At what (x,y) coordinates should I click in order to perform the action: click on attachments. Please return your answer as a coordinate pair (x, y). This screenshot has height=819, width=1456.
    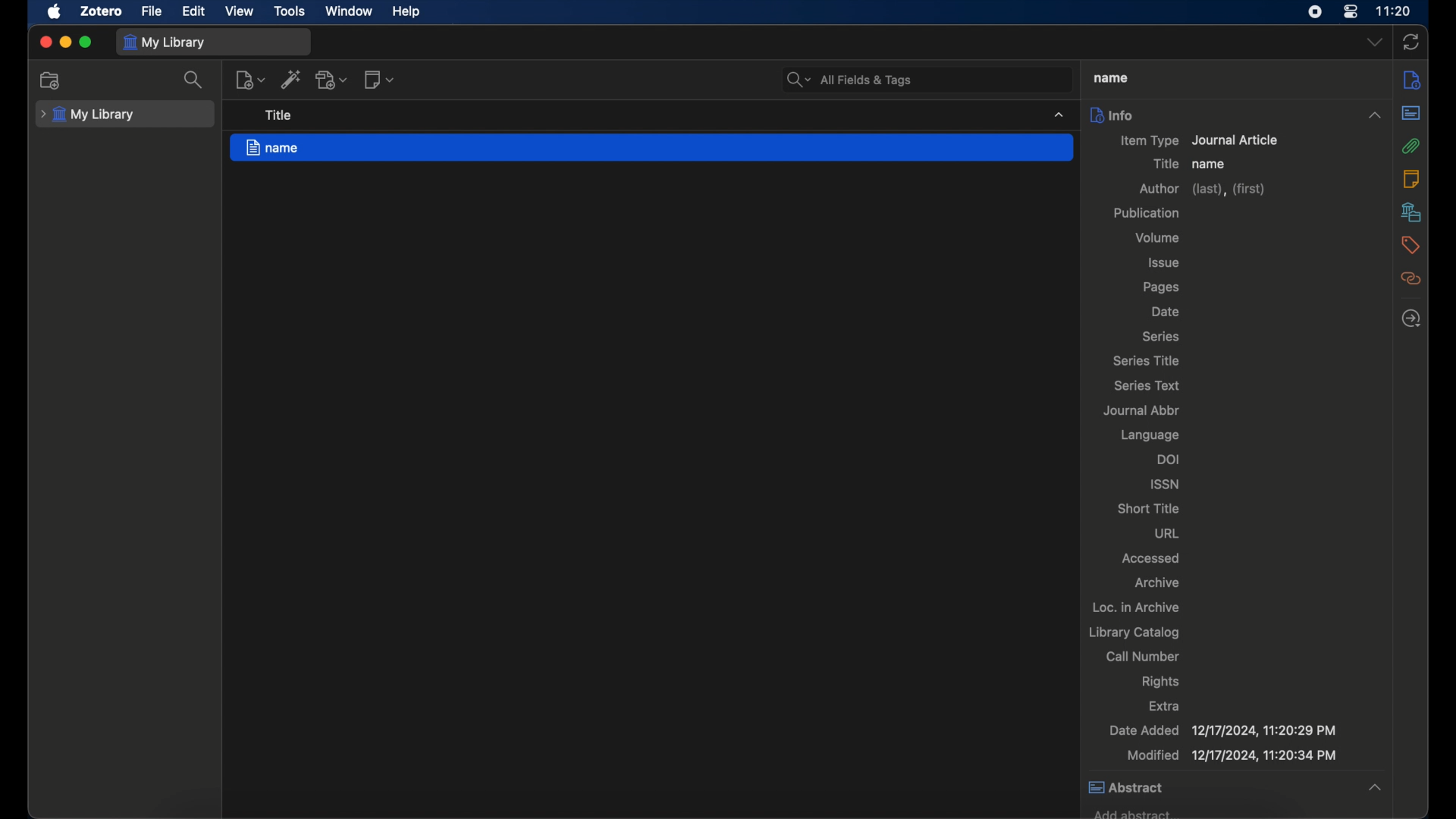
    Looking at the image, I should click on (1410, 146).